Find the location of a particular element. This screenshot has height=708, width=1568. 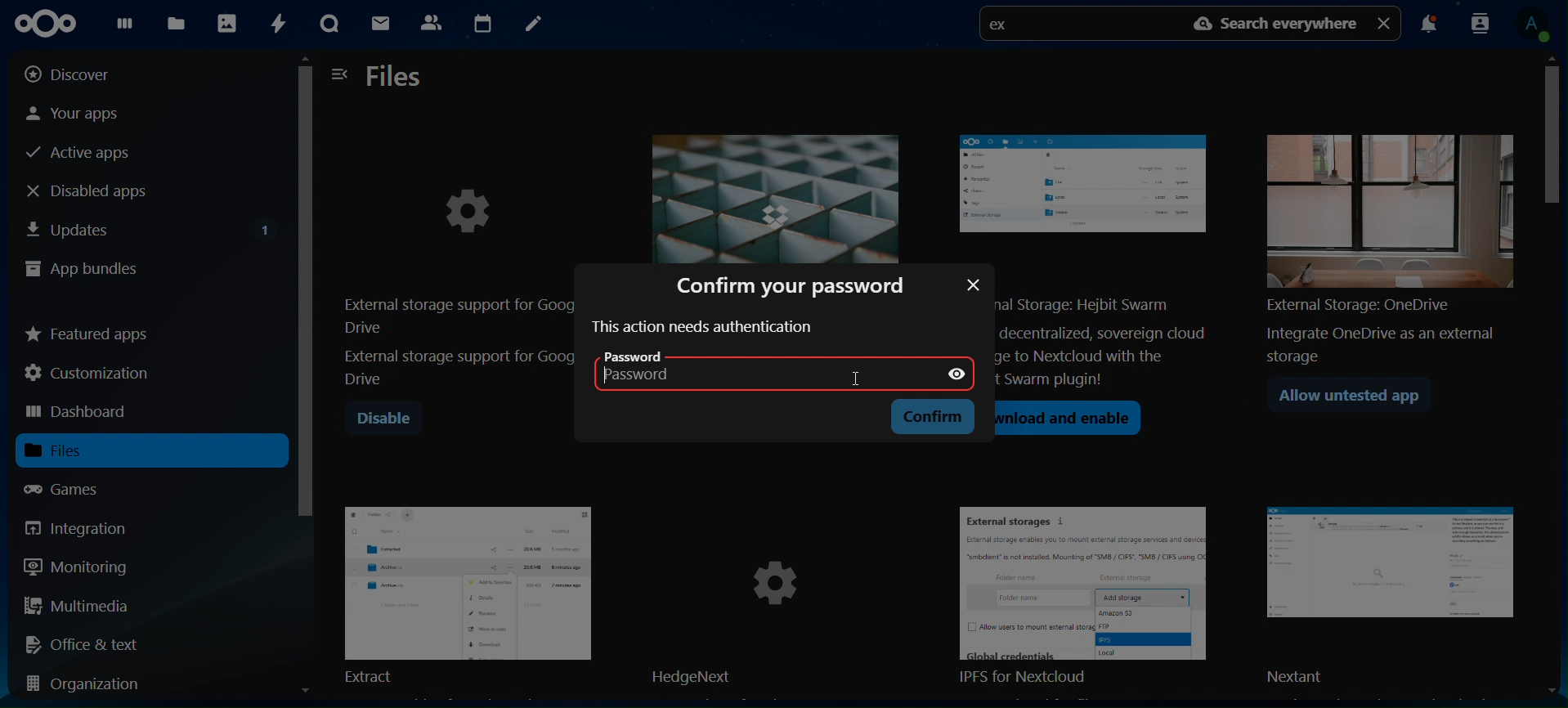

talk is located at coordinates (329, 24).